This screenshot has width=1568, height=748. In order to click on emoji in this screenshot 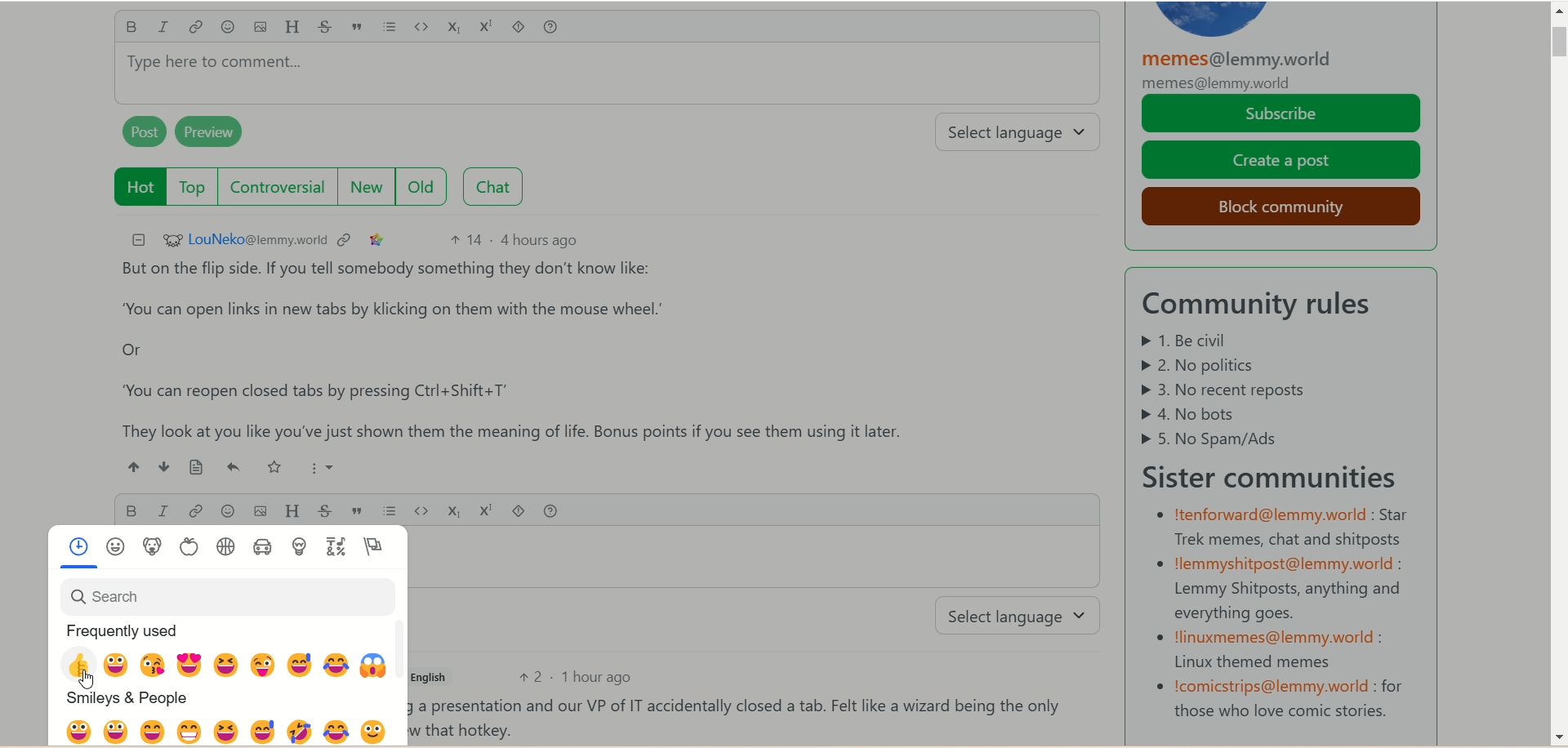, I will do `click(227, 28)`.